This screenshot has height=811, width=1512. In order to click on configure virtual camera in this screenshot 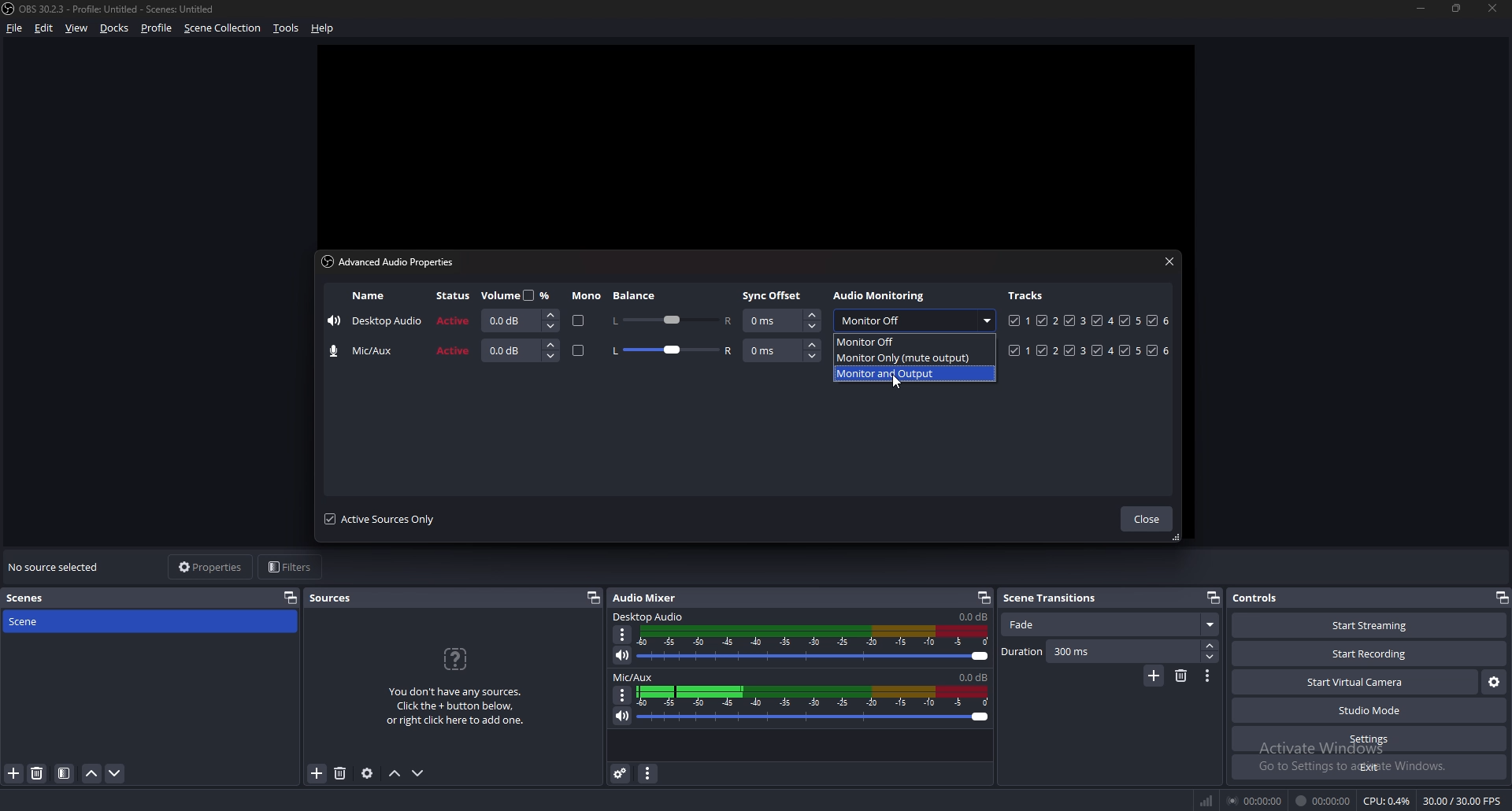, I will do `click(1493, 683)`.